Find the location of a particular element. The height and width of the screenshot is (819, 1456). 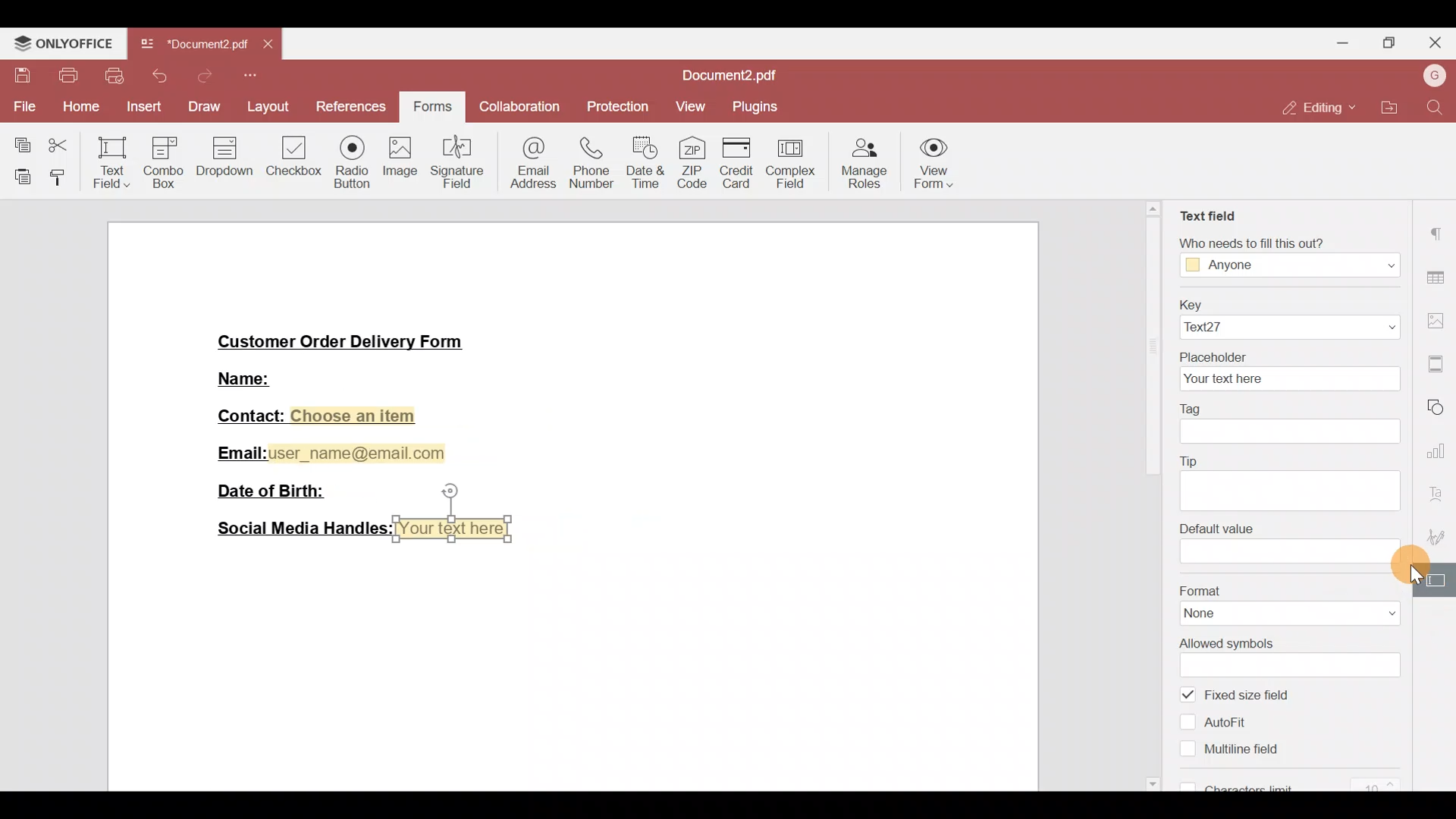

Your text here is located at coordinates (457, 529).